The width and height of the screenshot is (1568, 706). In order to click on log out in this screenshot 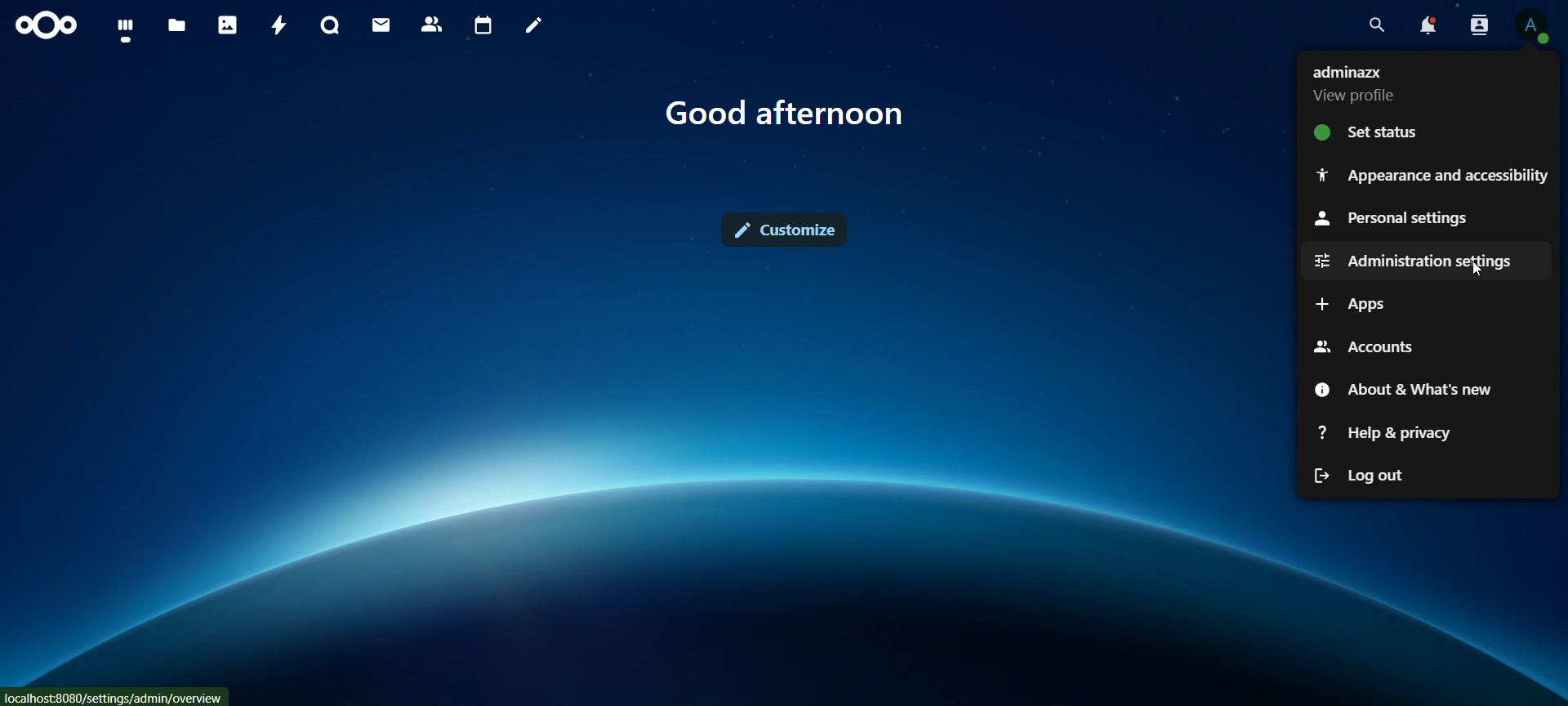, I will do `click(1356, 475)`.